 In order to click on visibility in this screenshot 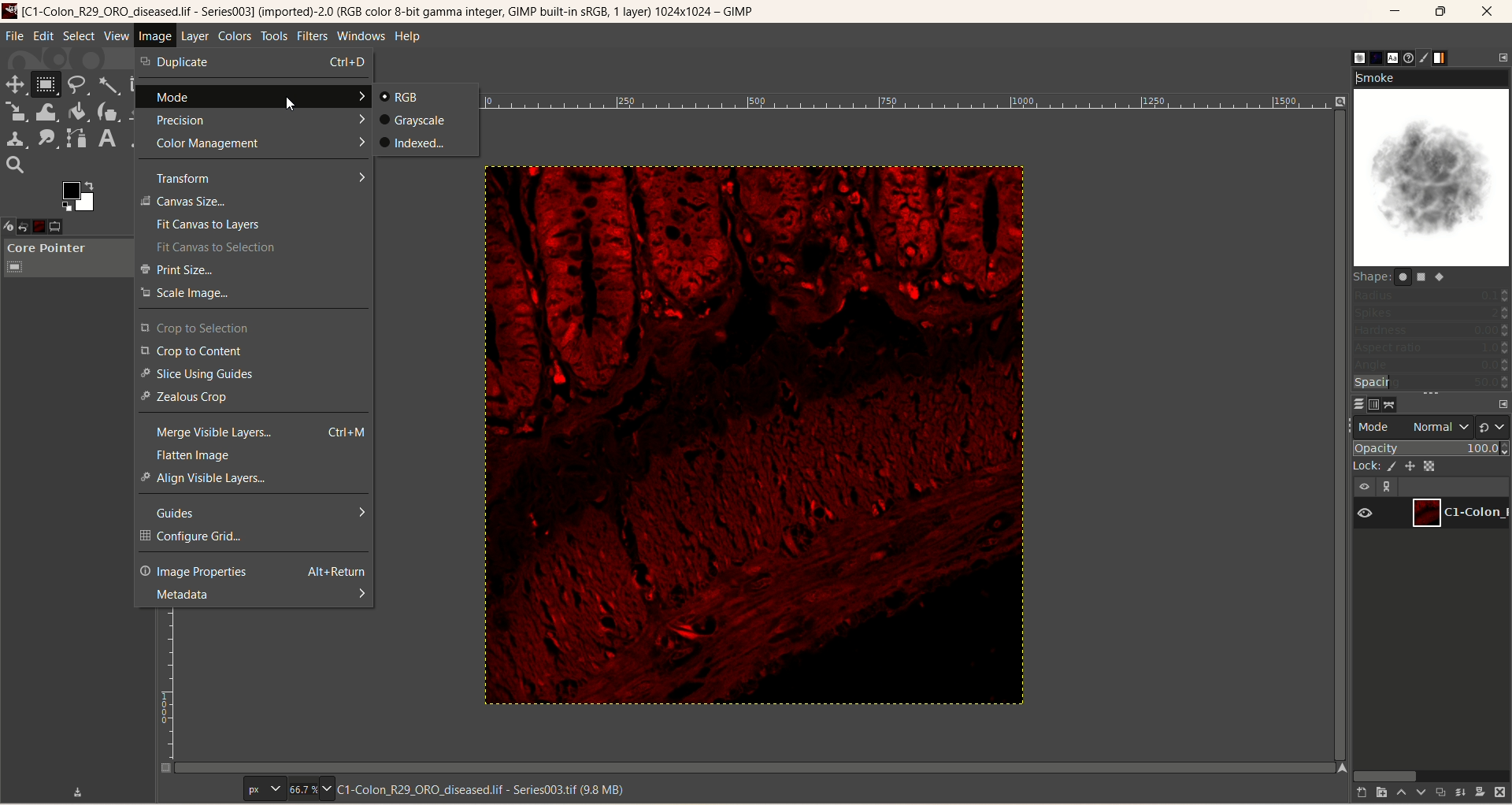, I will do `click(1365, 488)`.